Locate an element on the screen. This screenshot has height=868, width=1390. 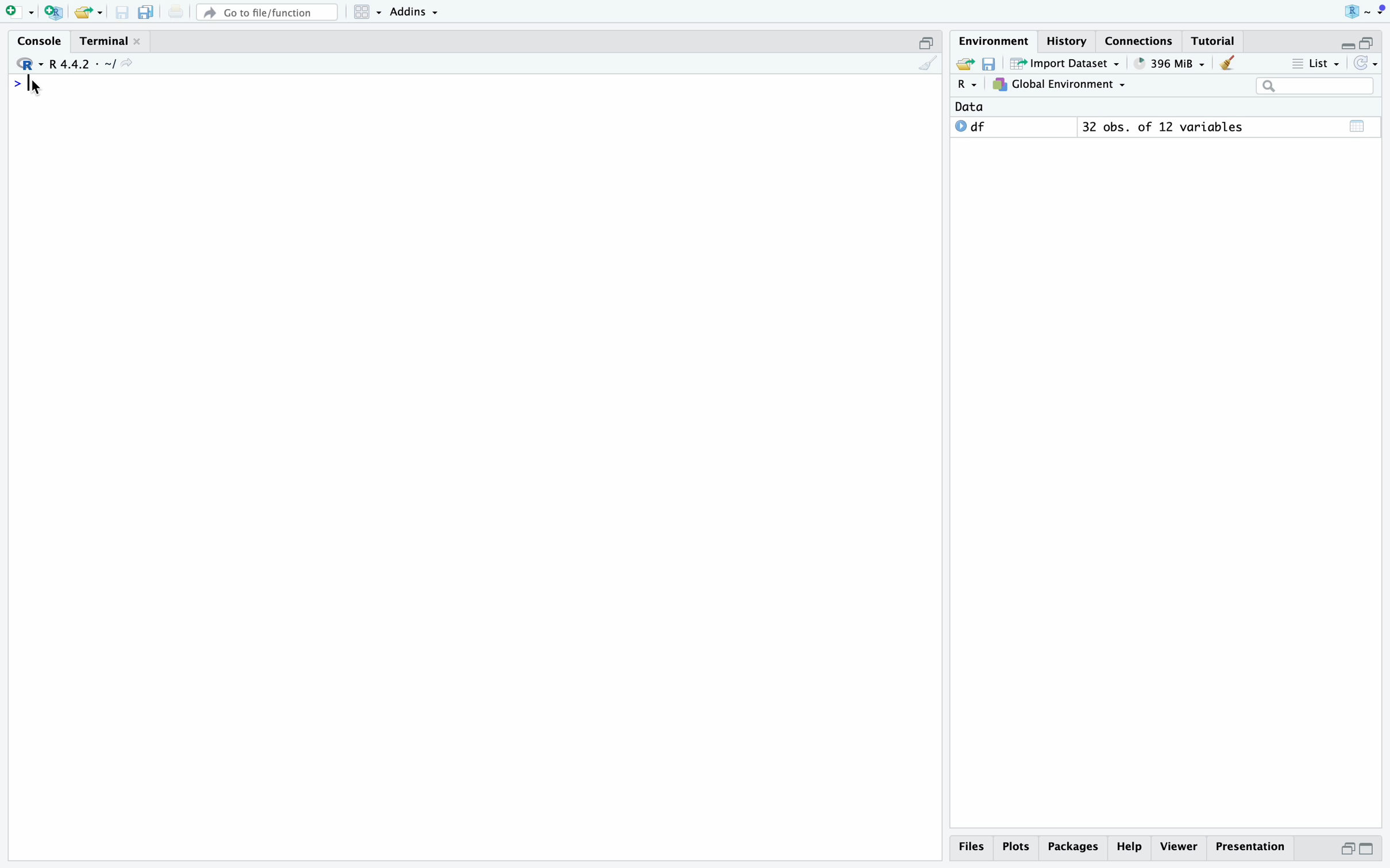
open in separate window is located at coordinates (926, 43).